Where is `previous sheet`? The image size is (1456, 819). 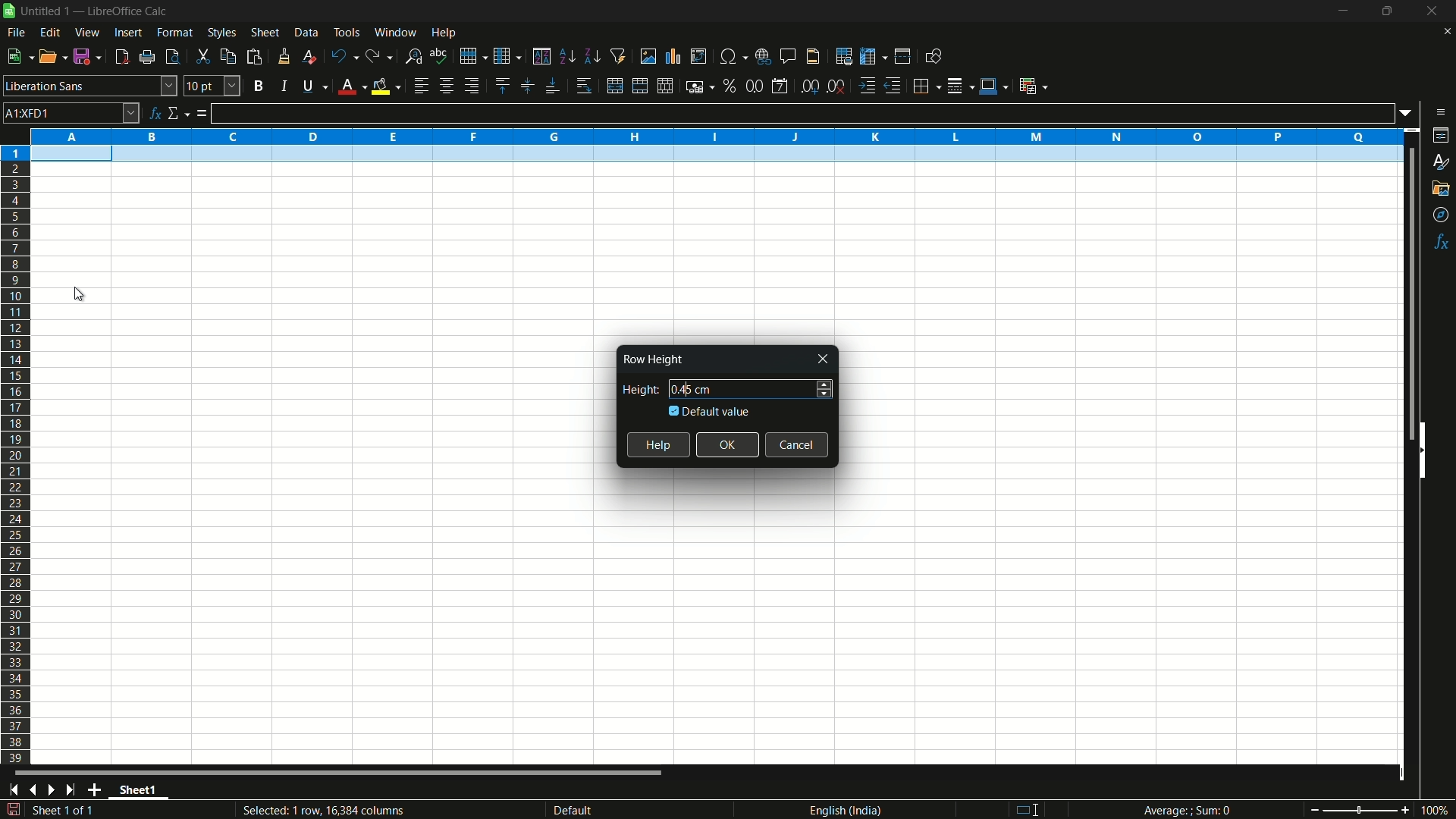 previous sheet is located at coordinates (32, 790).